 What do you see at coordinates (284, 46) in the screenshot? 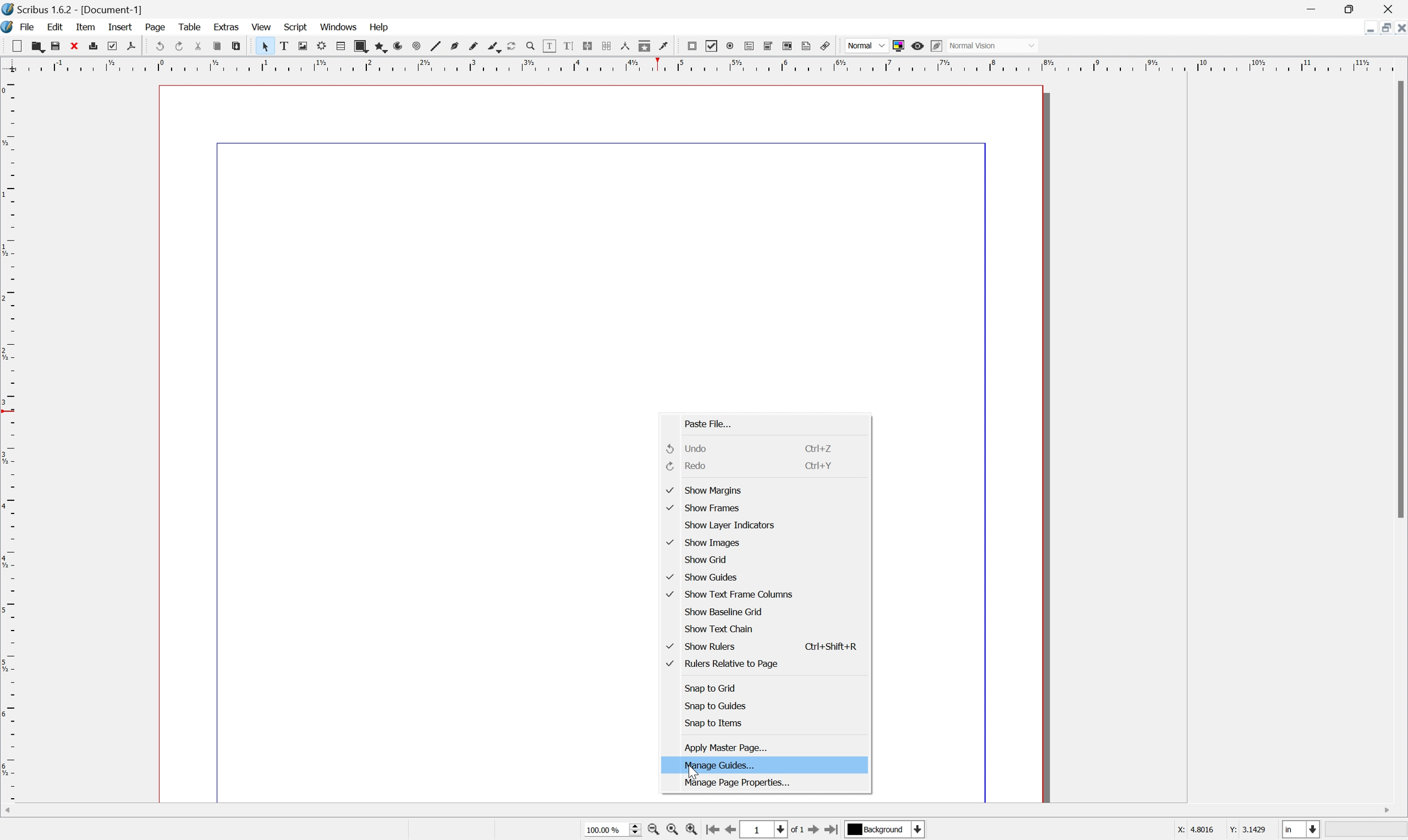
I see `text box` at bounding box center [284, 46].